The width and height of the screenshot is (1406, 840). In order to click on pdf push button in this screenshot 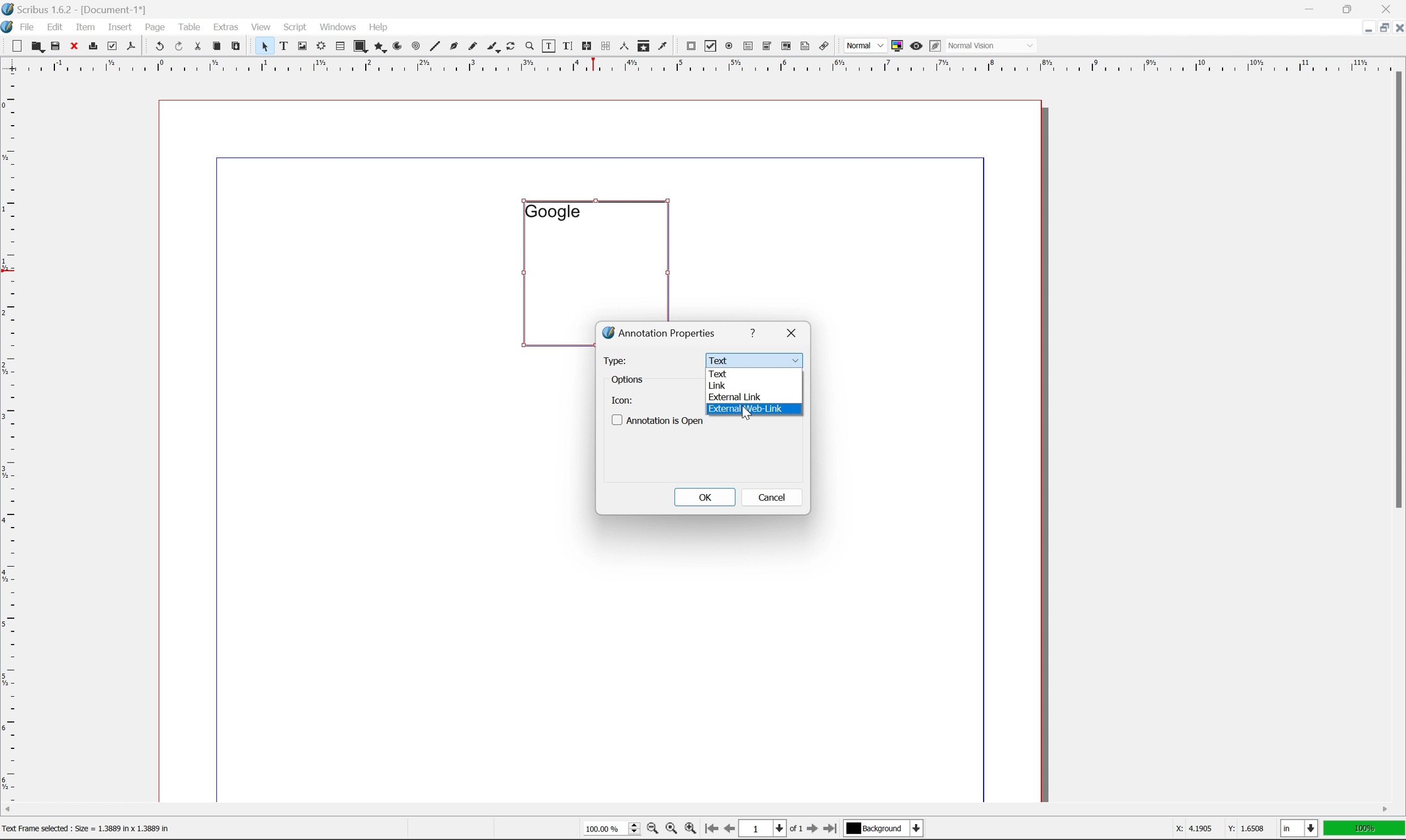, I will do `click(687, 45)`.